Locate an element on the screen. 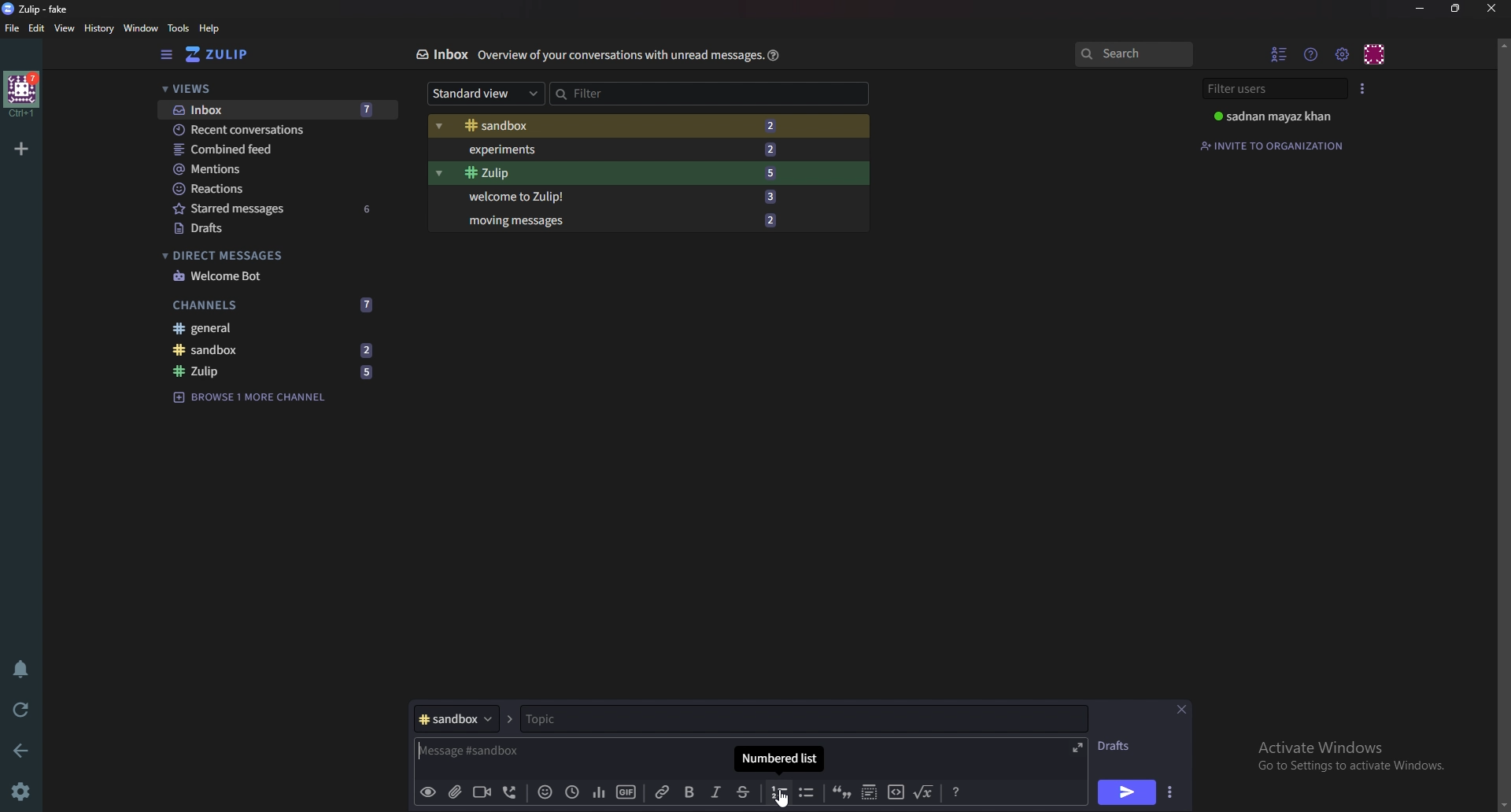 The height and width of the screenshot is (812, 1511). Math is located at coordinates (925, 792).